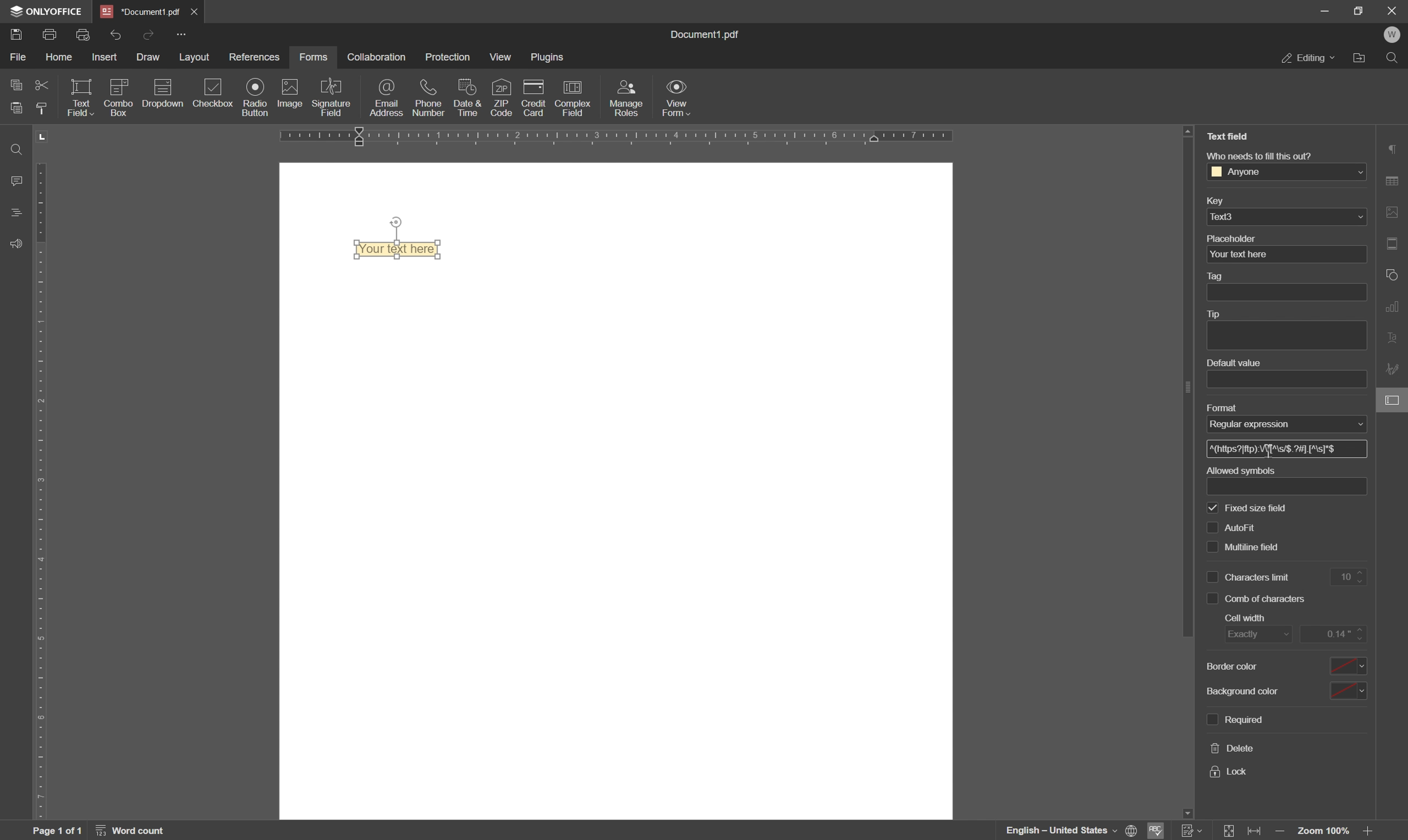 Image resolution: width=1408 pixels, height=840 pixels. Describe the element at coordinates (255, 57) in the screenshot. I see `references` at that location.